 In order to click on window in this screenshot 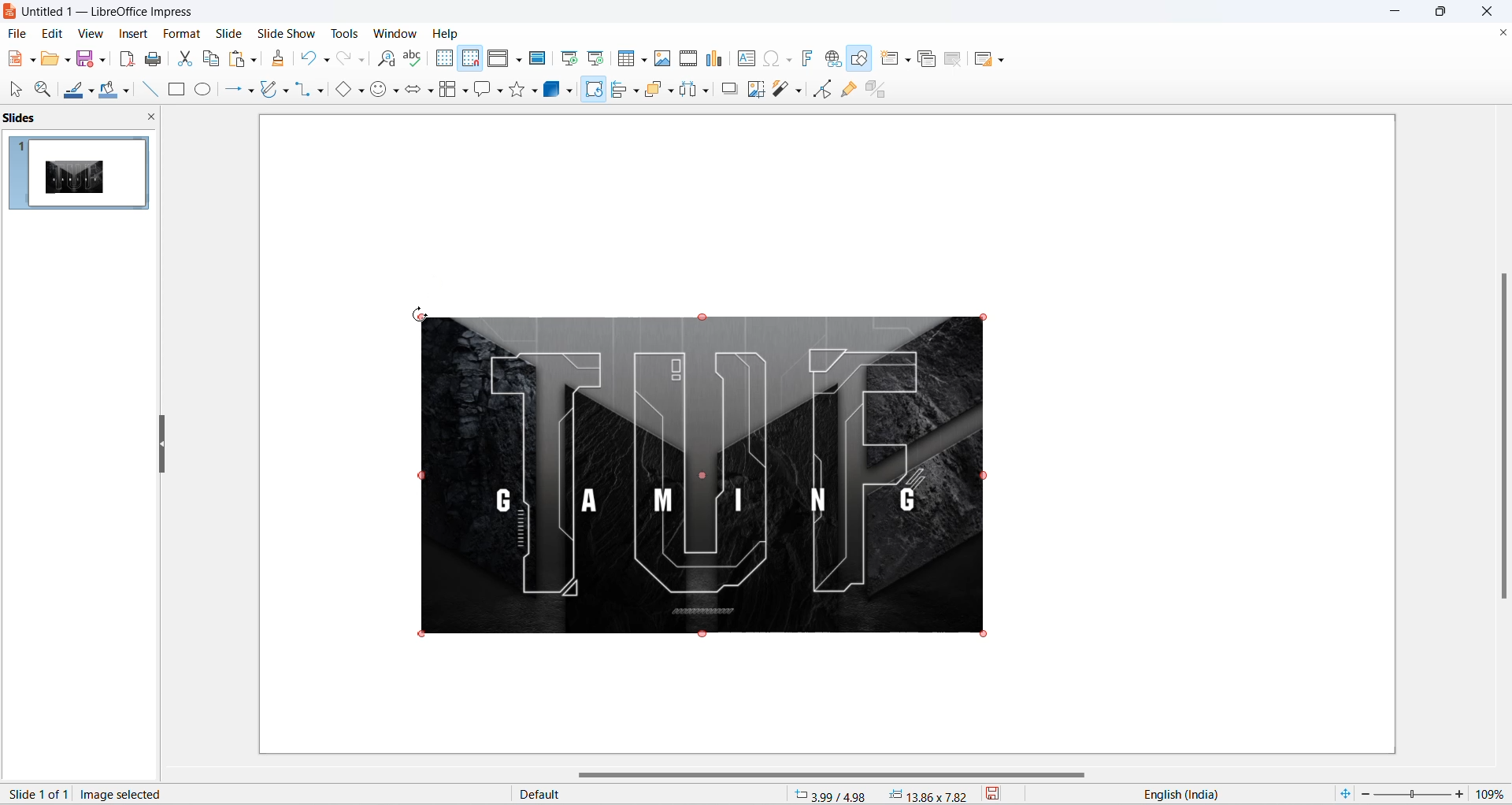, I will do `click(398, 33)`.